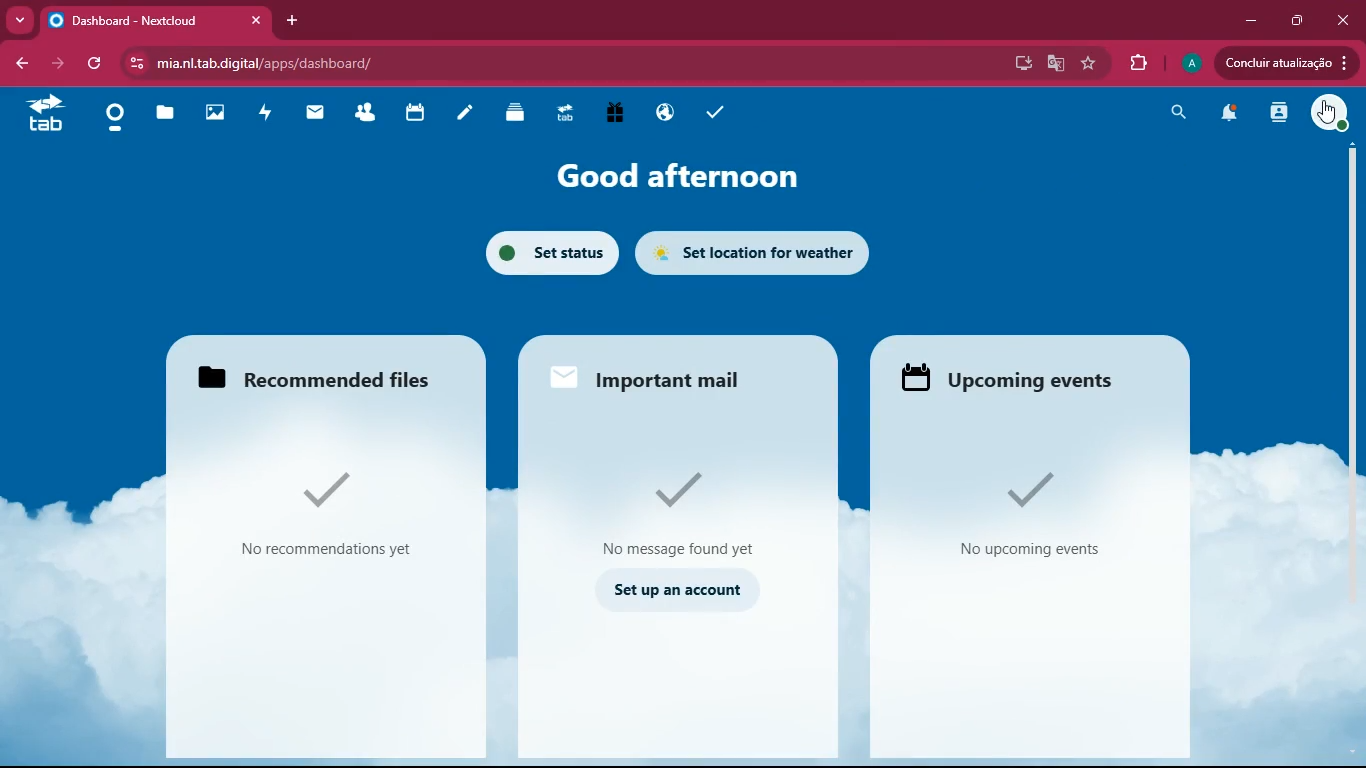 The width and height of the screenshot is (1366, 768). I want to click on notes, so click(470, 115).